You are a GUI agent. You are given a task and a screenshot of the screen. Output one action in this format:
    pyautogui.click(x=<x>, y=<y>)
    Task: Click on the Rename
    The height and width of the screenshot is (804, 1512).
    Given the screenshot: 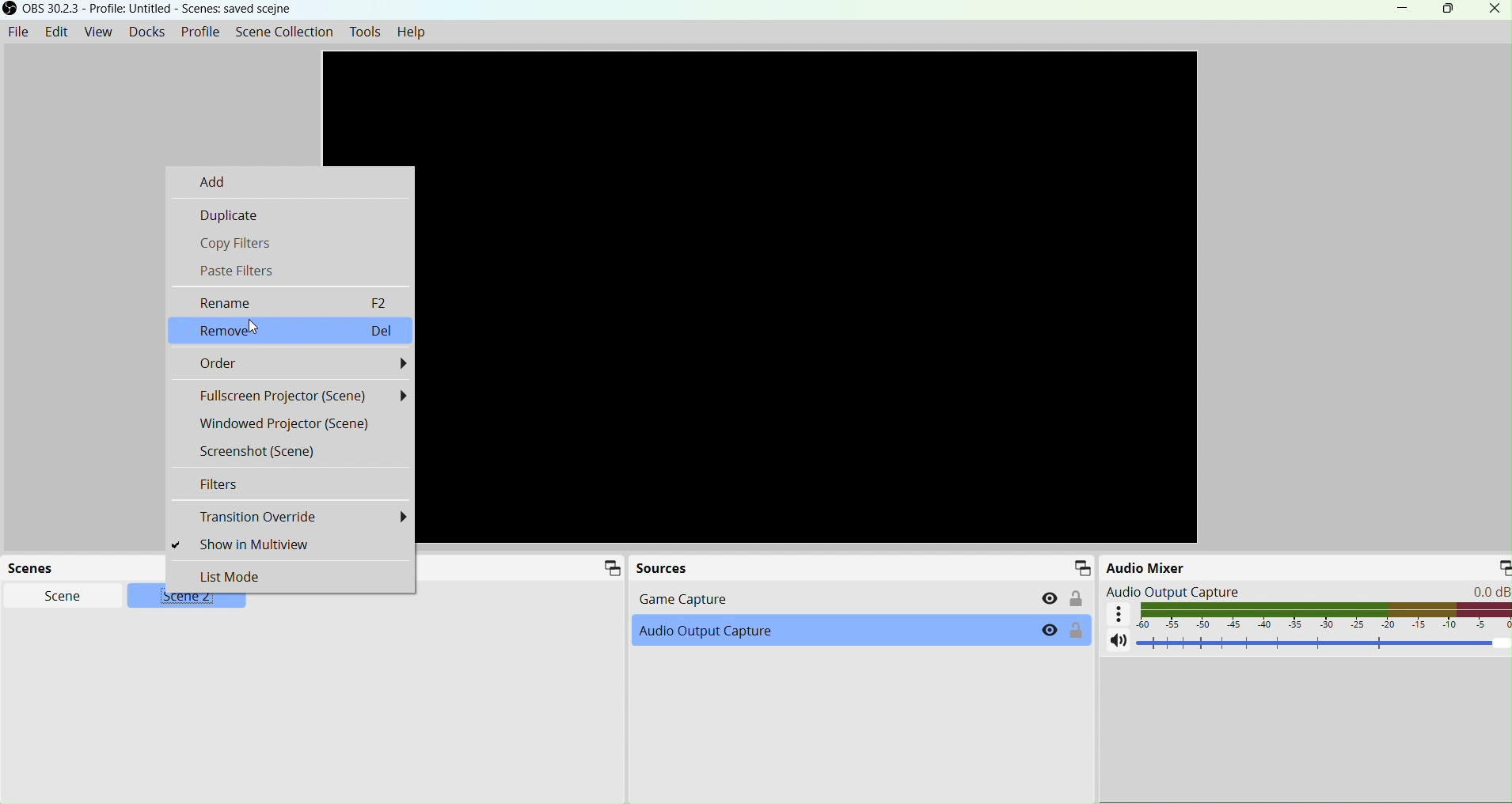 What is the action you would take?
    pyautogui.click(x=291, y=301)
    